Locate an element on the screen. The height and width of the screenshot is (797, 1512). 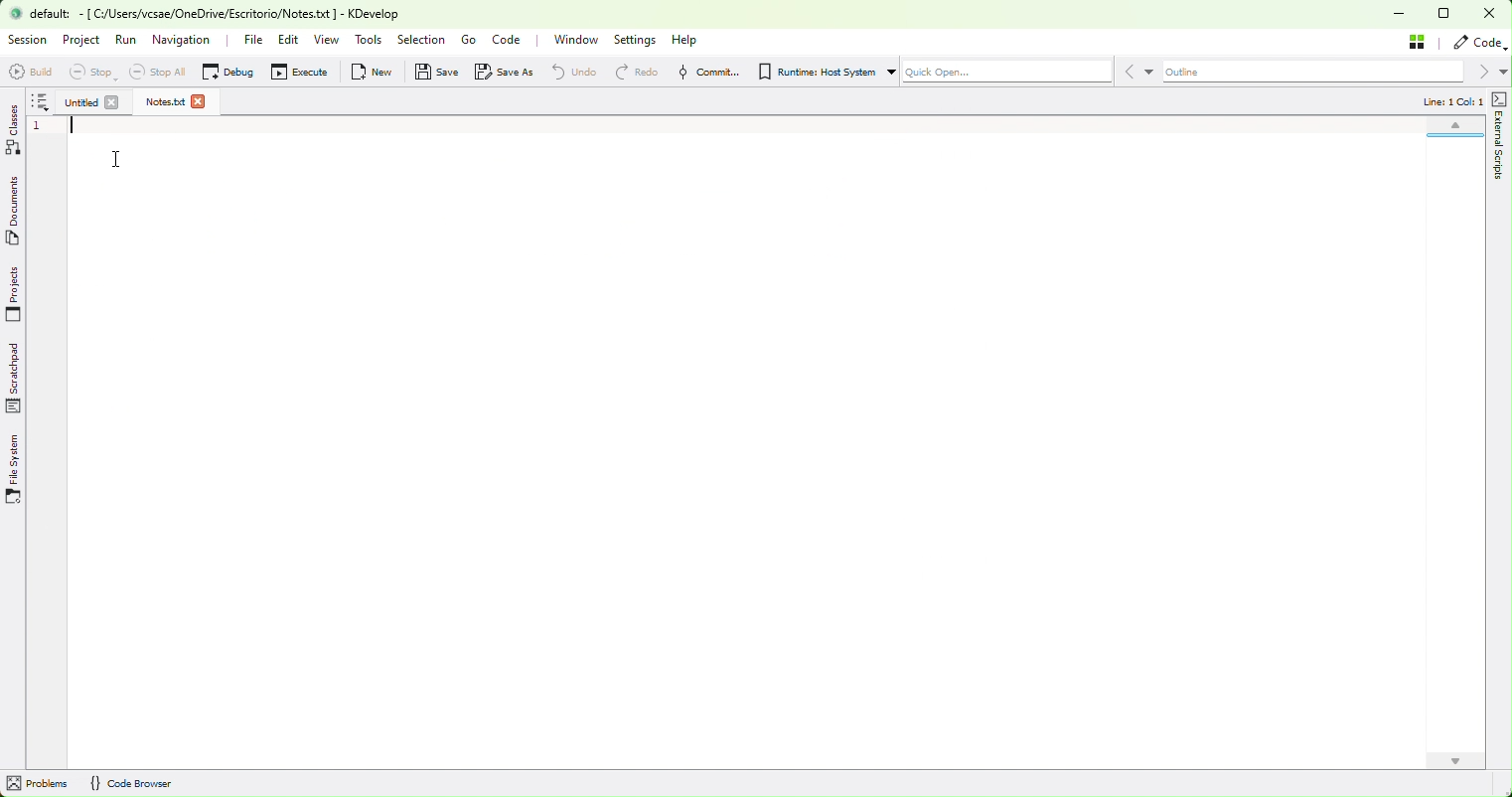
Window is located at coordinates (581, 40).